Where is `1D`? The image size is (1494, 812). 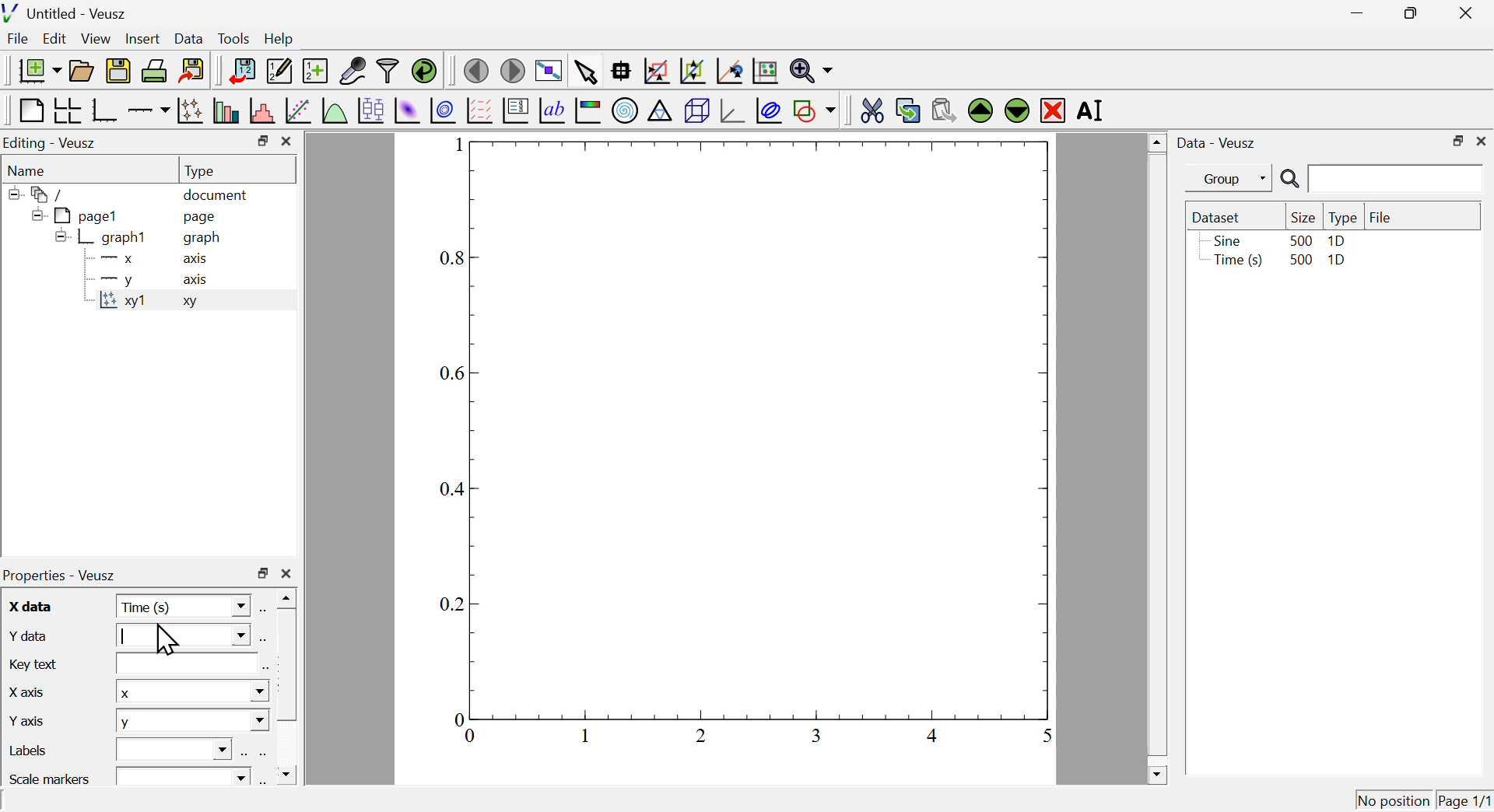 1D is located at coordinates (1338, 262).